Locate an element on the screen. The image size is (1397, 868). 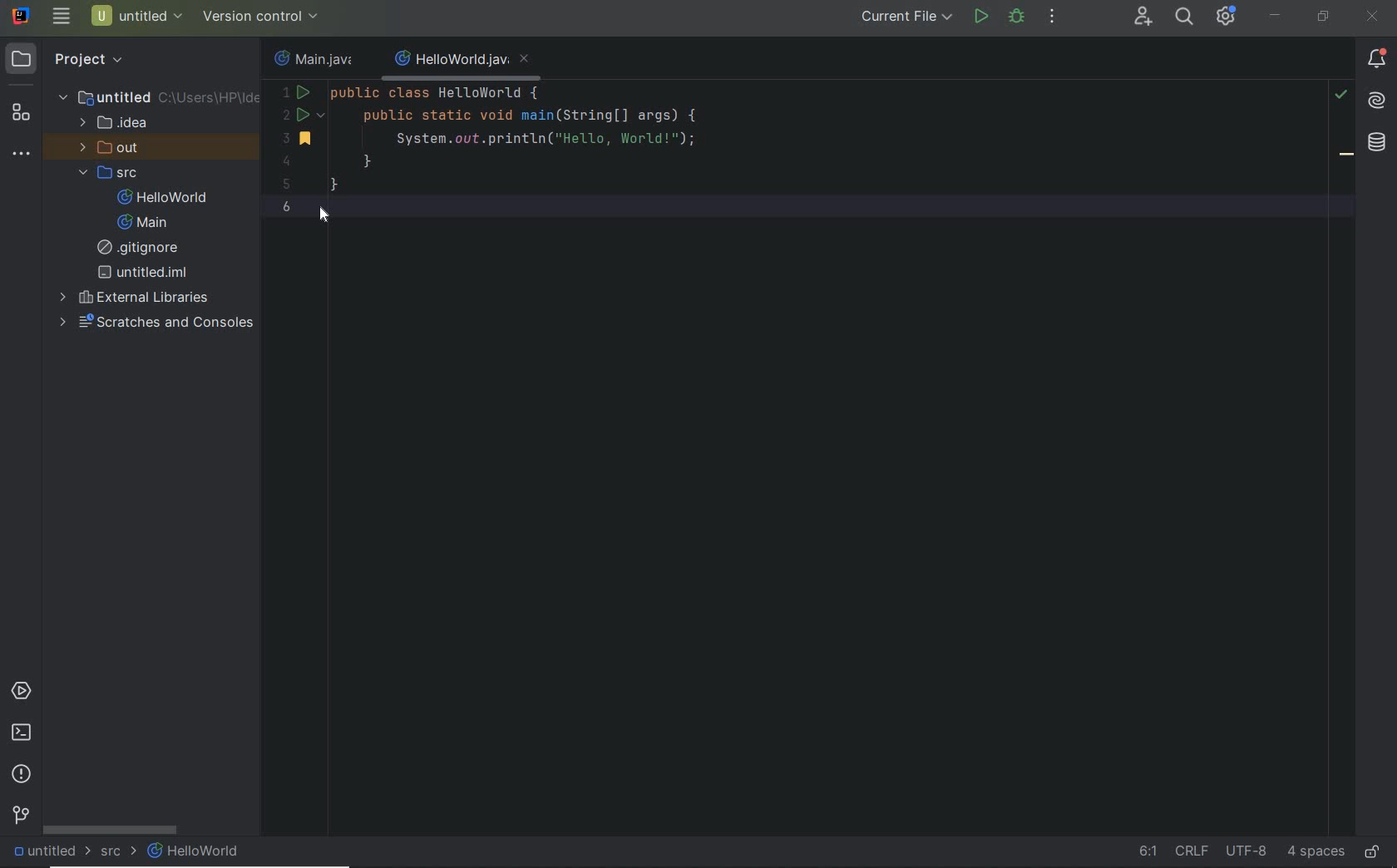
configure version control is located at coordinates (259, 17).